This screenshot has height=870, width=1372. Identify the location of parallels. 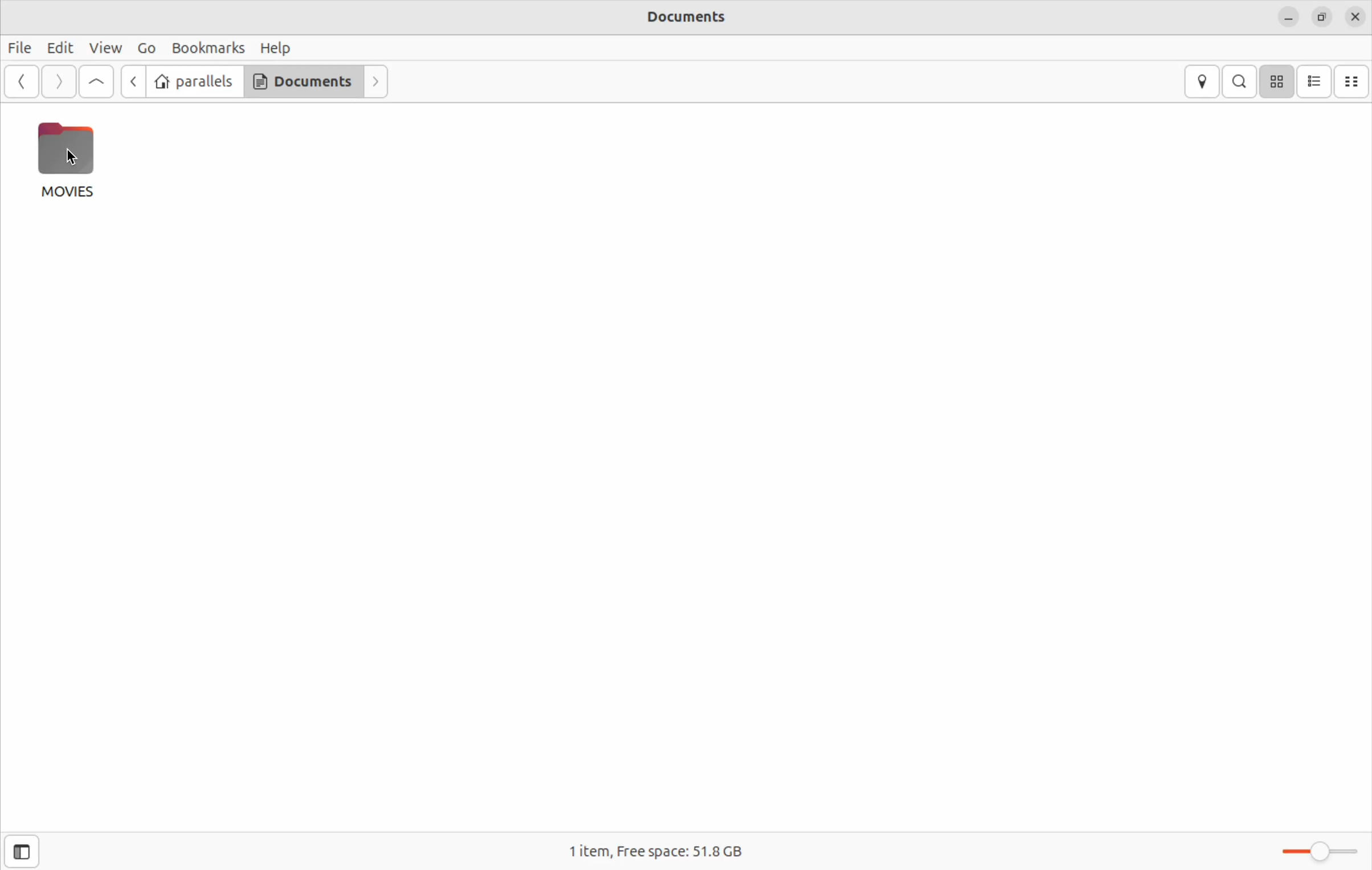
(195, 81).